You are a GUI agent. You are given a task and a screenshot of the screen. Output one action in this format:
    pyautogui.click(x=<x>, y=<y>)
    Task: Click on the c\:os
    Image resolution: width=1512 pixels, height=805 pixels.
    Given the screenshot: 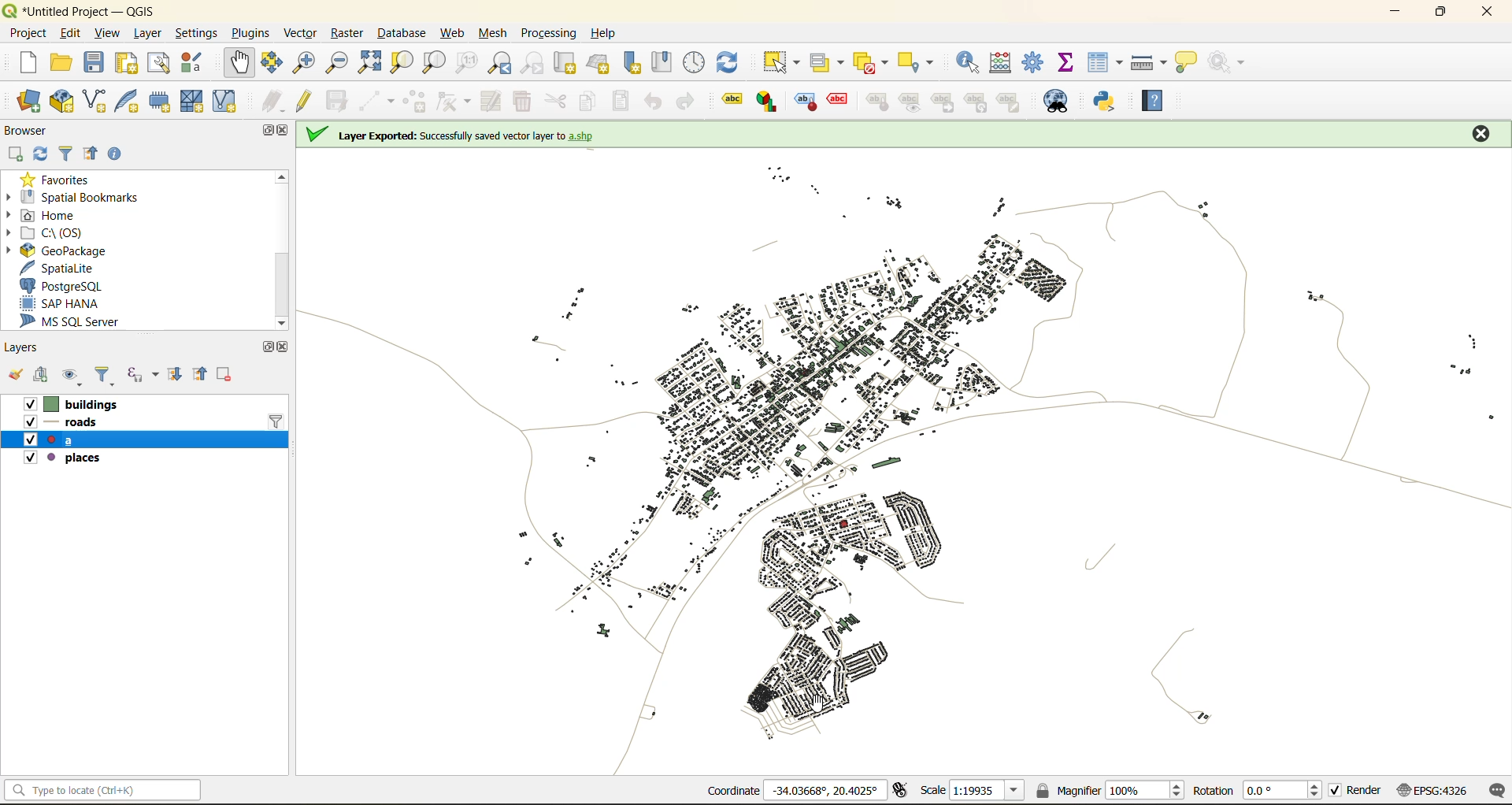 What is the action you would take?
    pyautogui.click(x=62, y=232)
    